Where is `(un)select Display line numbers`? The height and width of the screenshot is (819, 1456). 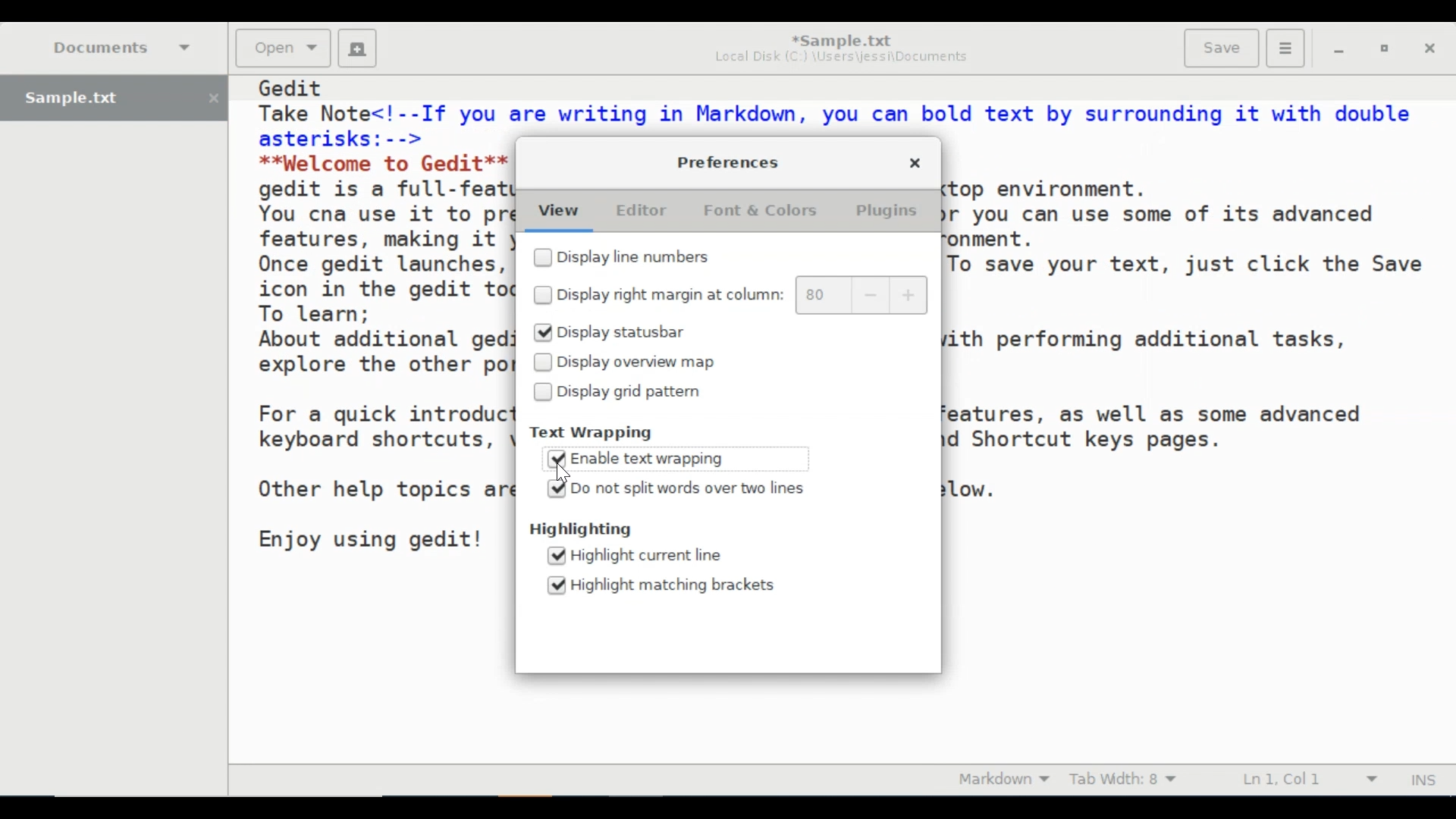
(un)select Display line numbers is located at coordinates (626, 258).